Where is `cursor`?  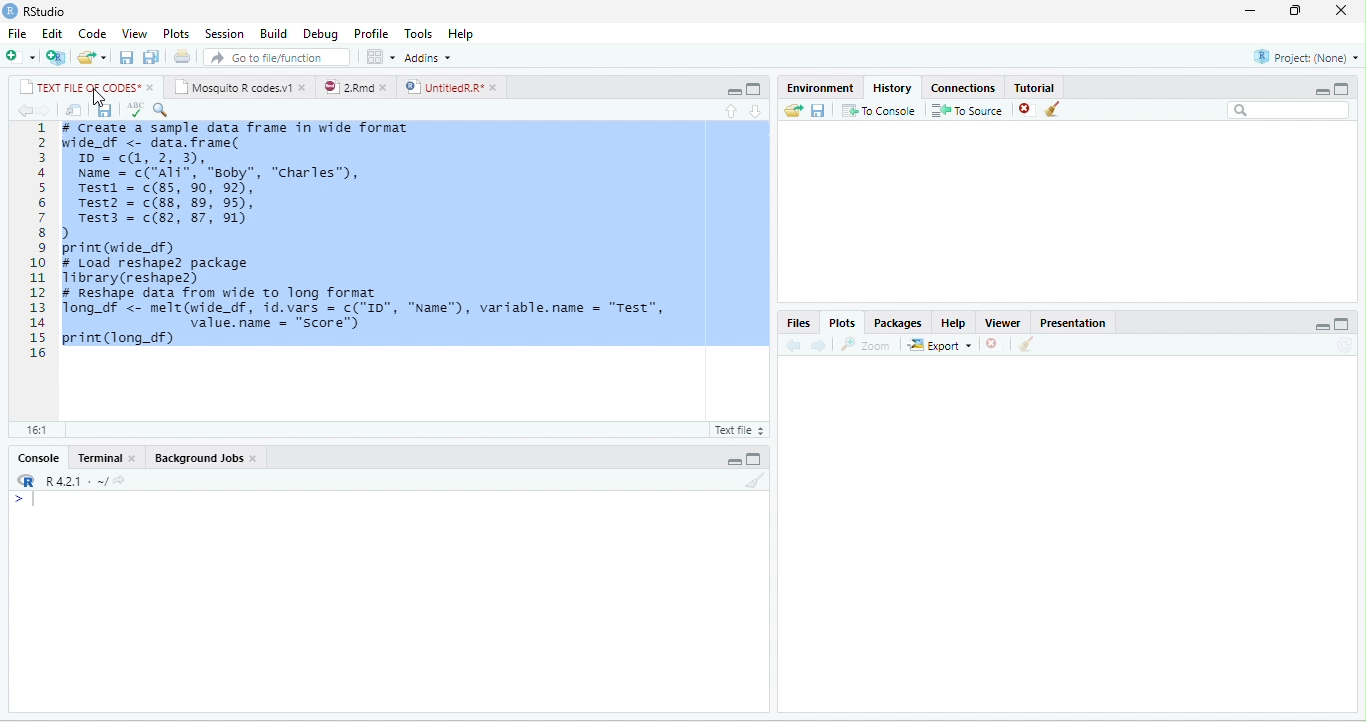
cursor is located at coordinates (99, 97).